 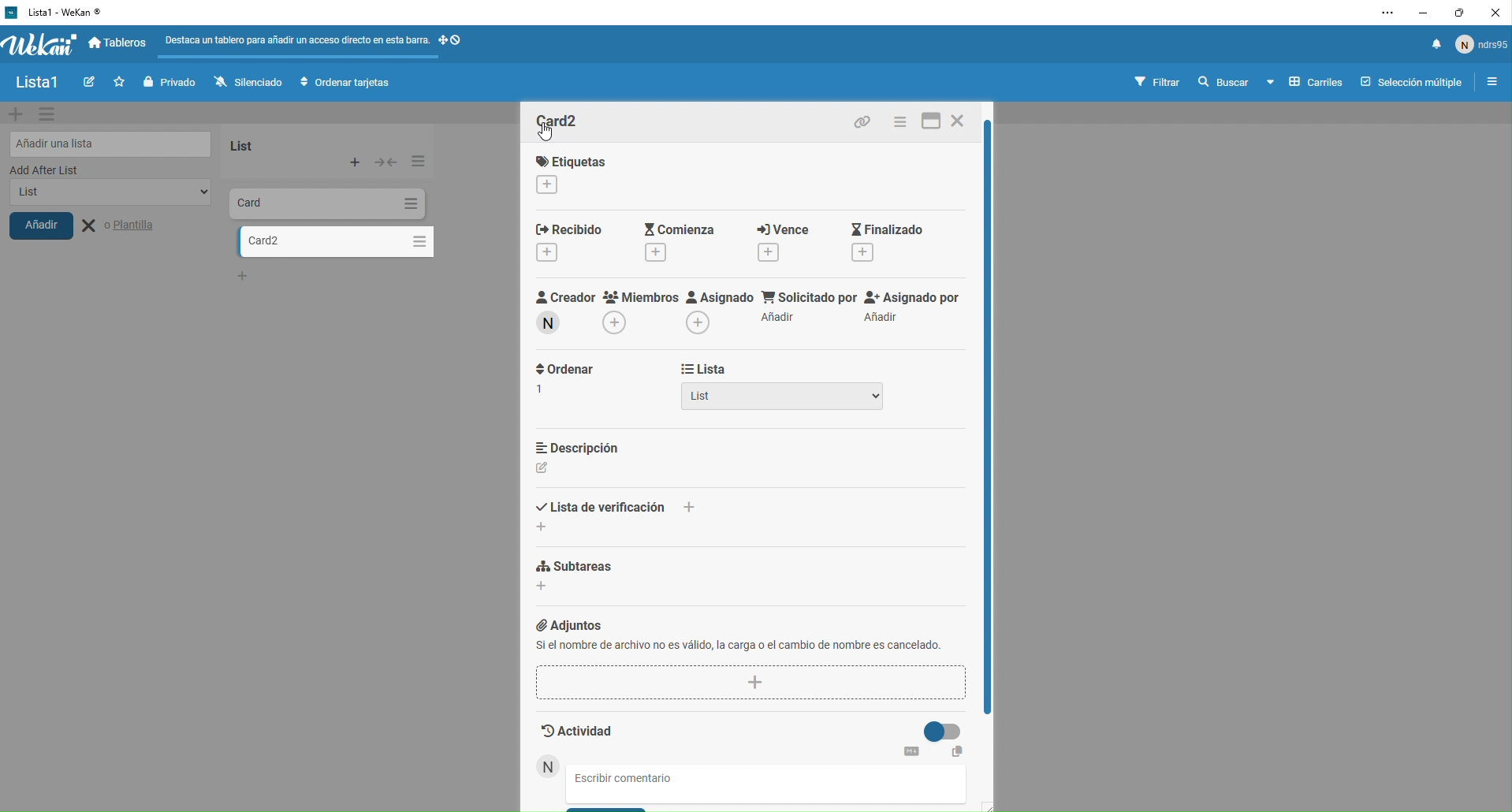 What do you see at coordinates (561, 315) in the screenshot?
I see `Creador` at bounding box center [561, 315].